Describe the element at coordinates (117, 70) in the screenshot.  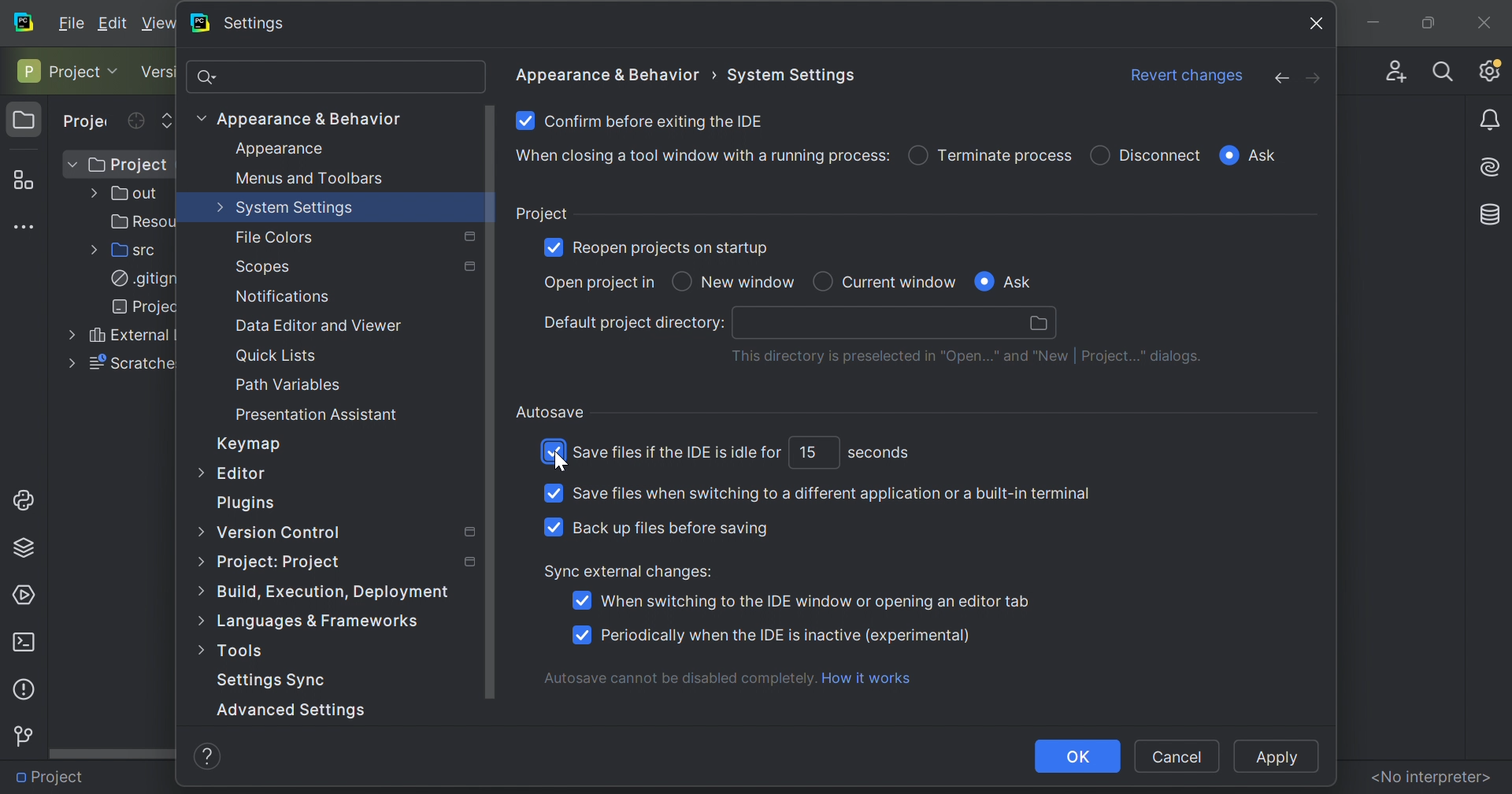
I see `Drop Down` at that location.